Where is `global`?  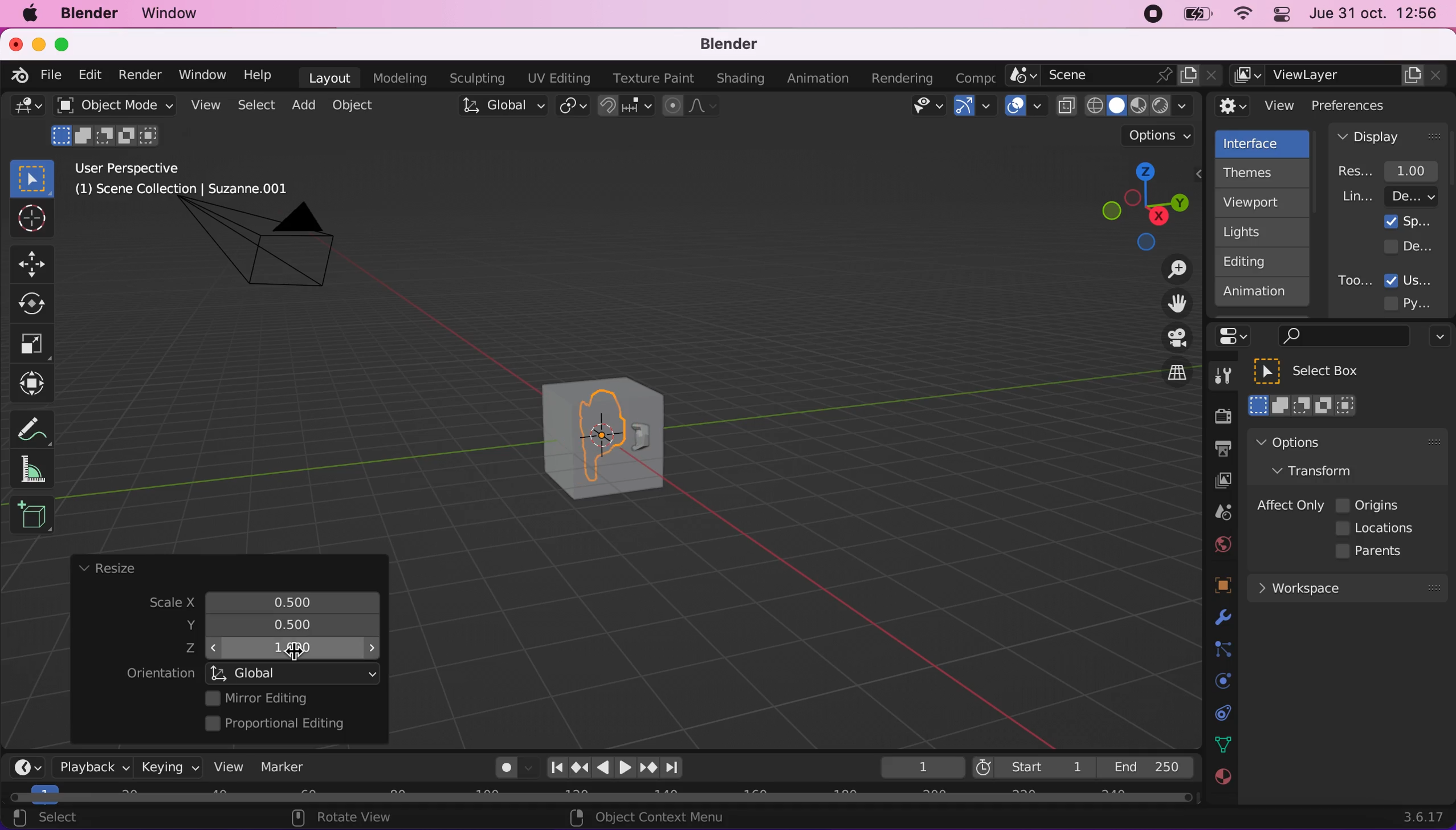
global is located at coordinates (295, 673).